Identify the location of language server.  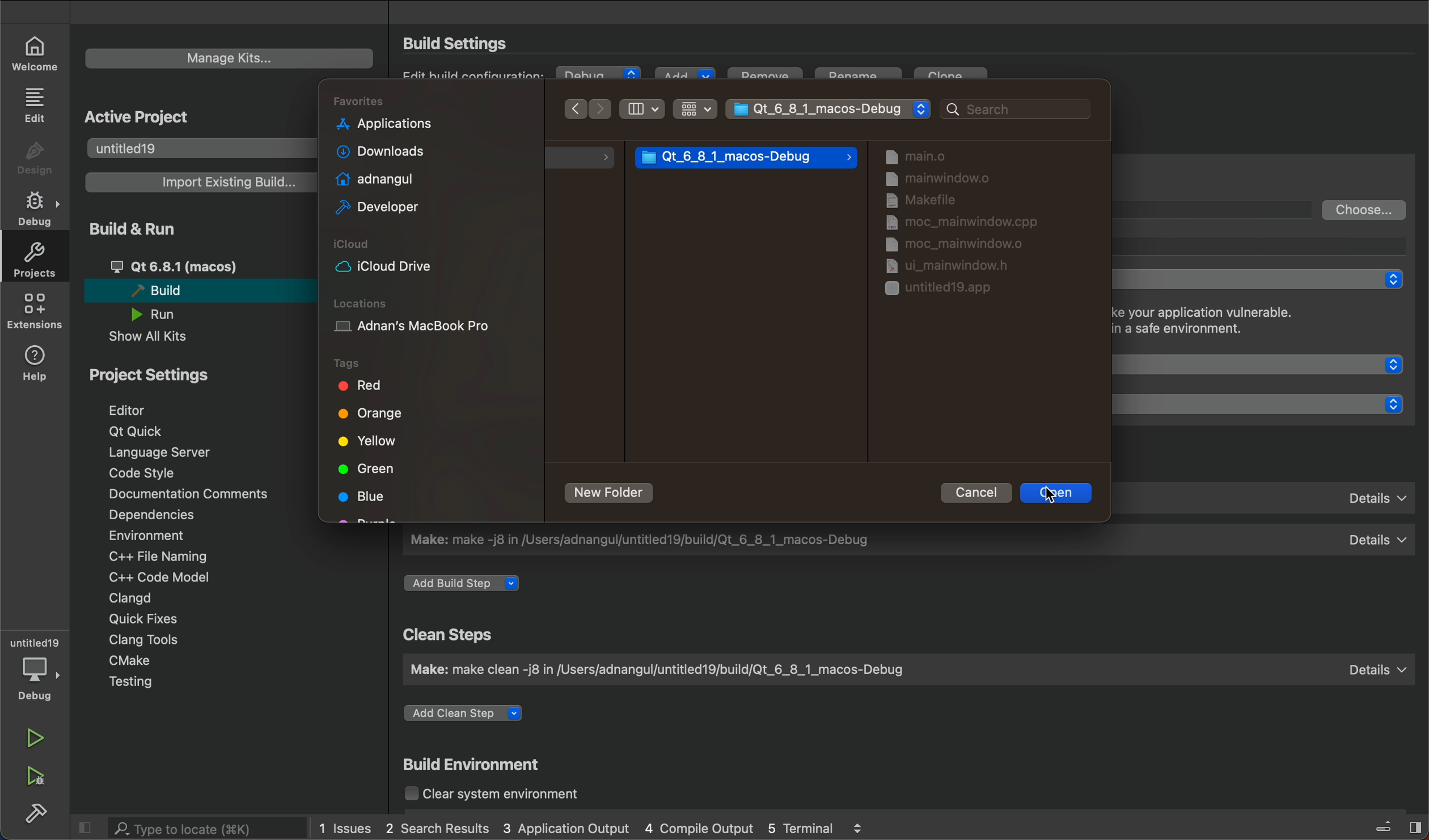
(171, 452).